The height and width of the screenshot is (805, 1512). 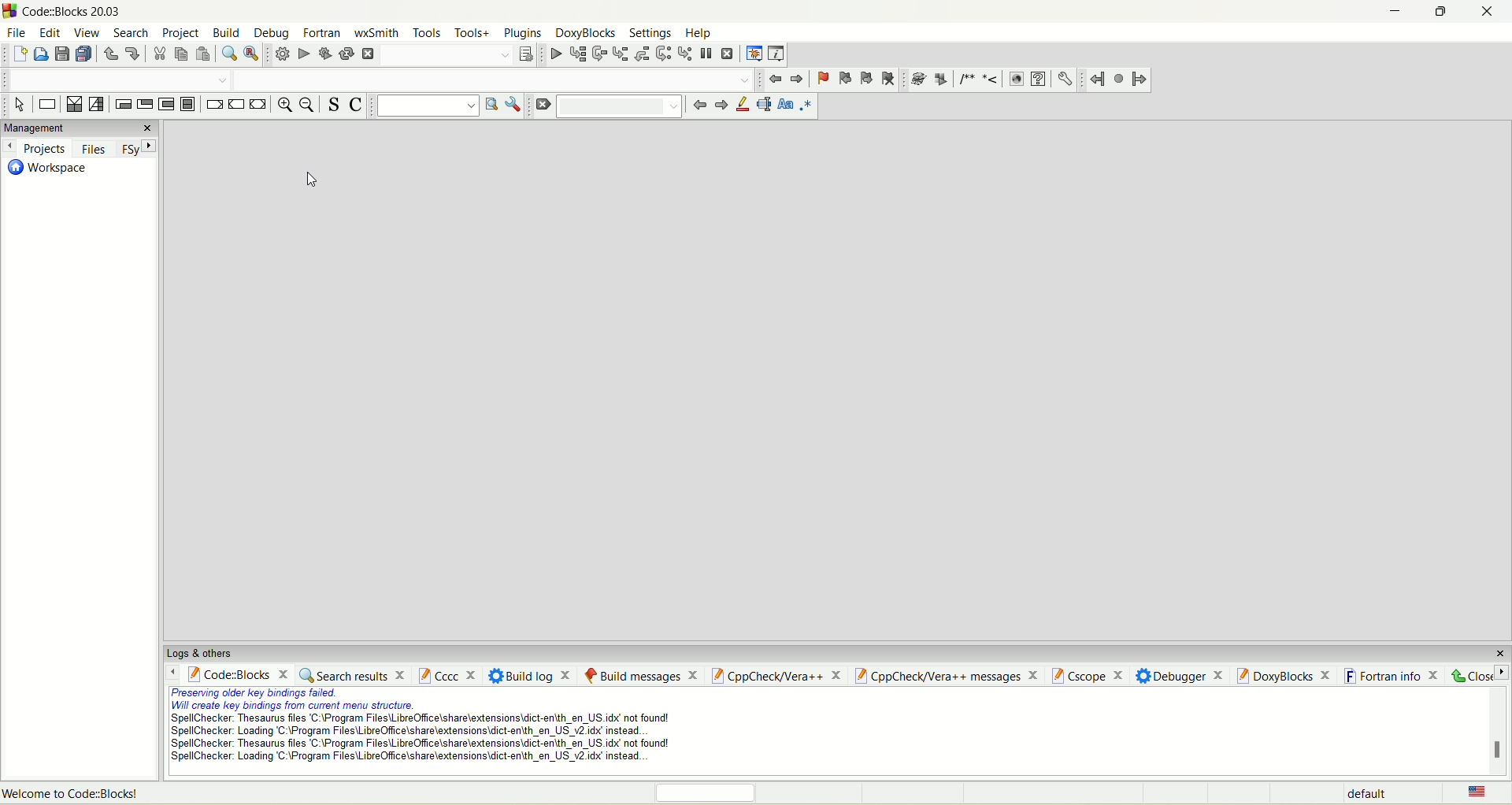 What do you see at coordinates (866, 77) in the screenshot?
I see `next bookmark` at bounding box center [866, 77].